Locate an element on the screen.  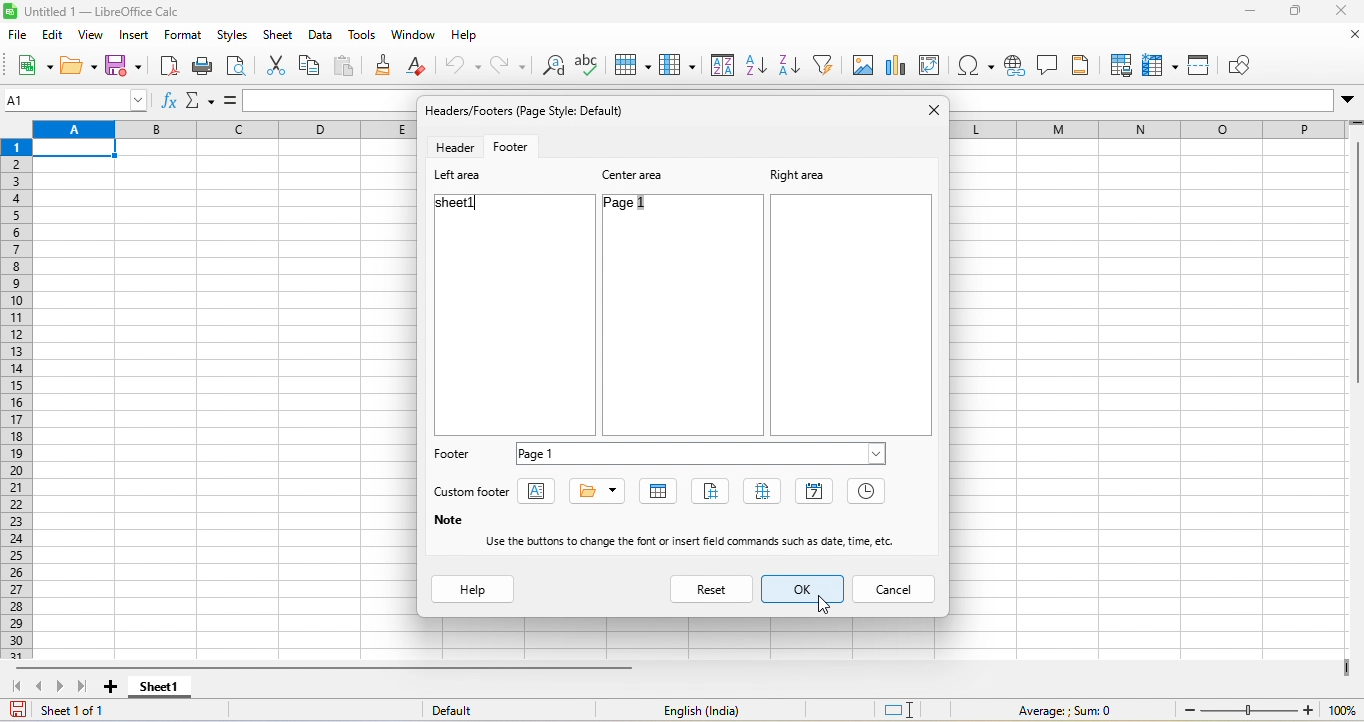
file is located at coordinates (19, 37).